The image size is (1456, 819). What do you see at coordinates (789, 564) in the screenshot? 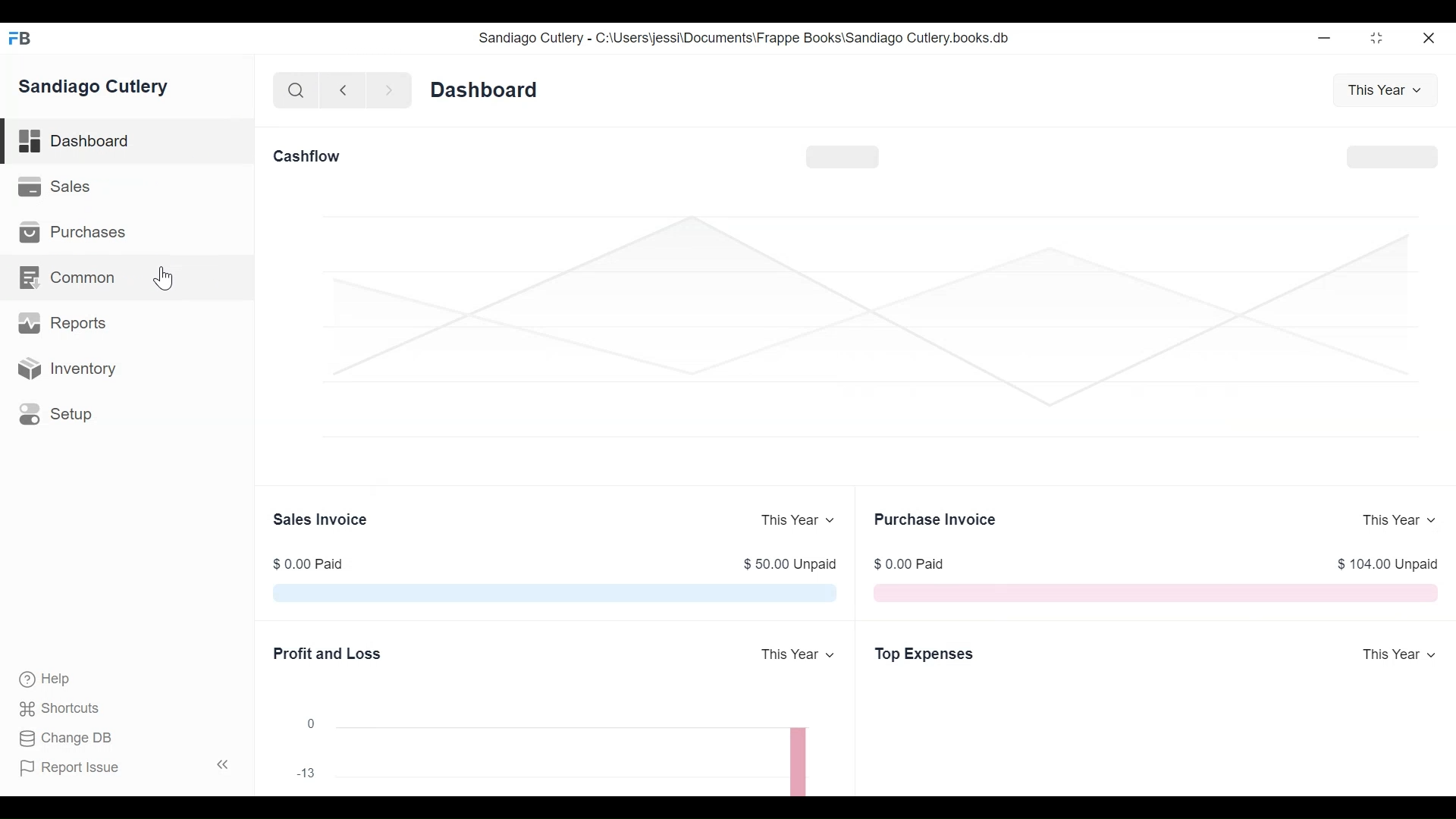
I see `$ 50.00 Unpaid` at bounding box center [789, 564].